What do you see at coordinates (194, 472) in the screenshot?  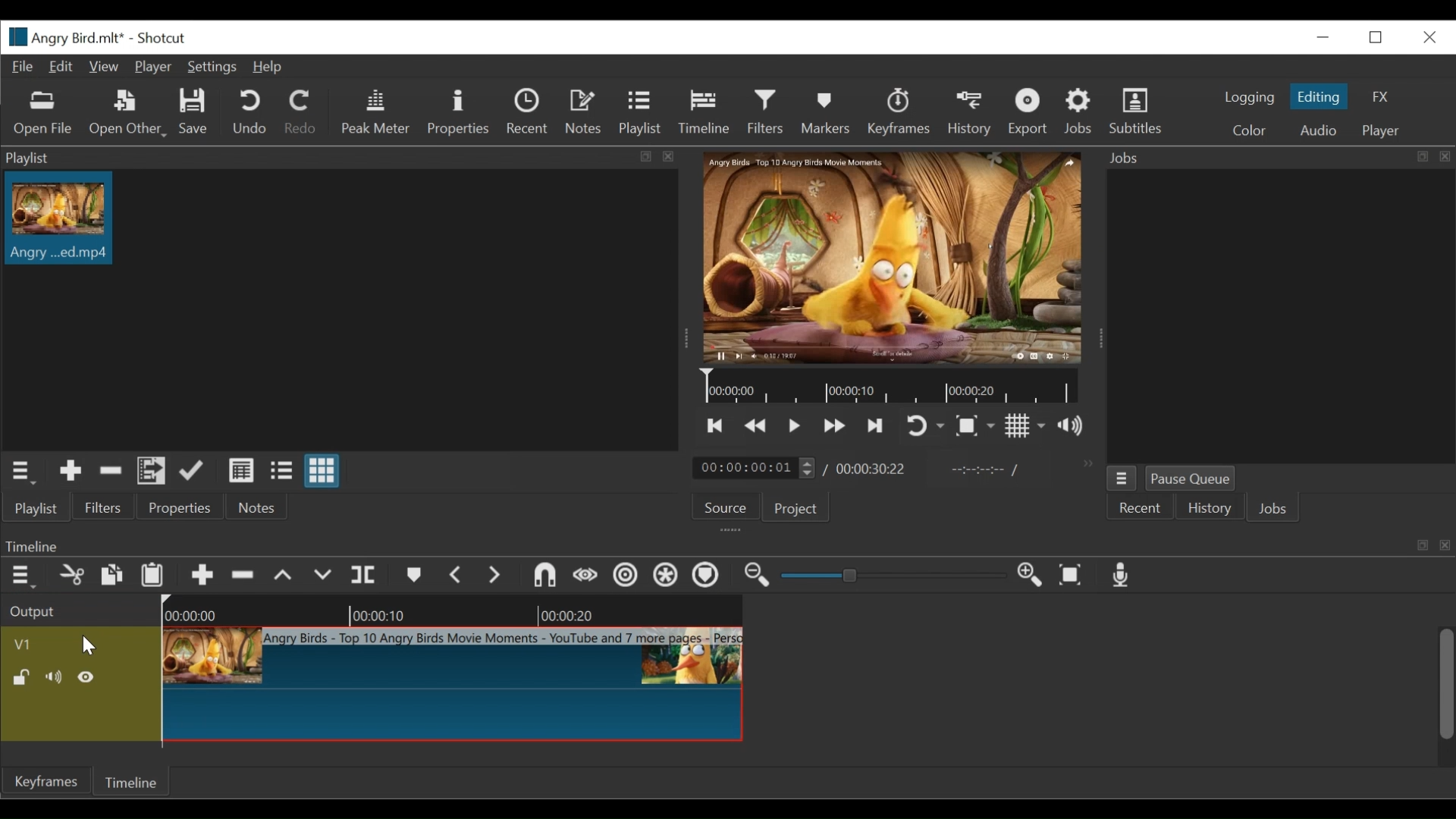 I see `Update` at bounding box center [194, 472].